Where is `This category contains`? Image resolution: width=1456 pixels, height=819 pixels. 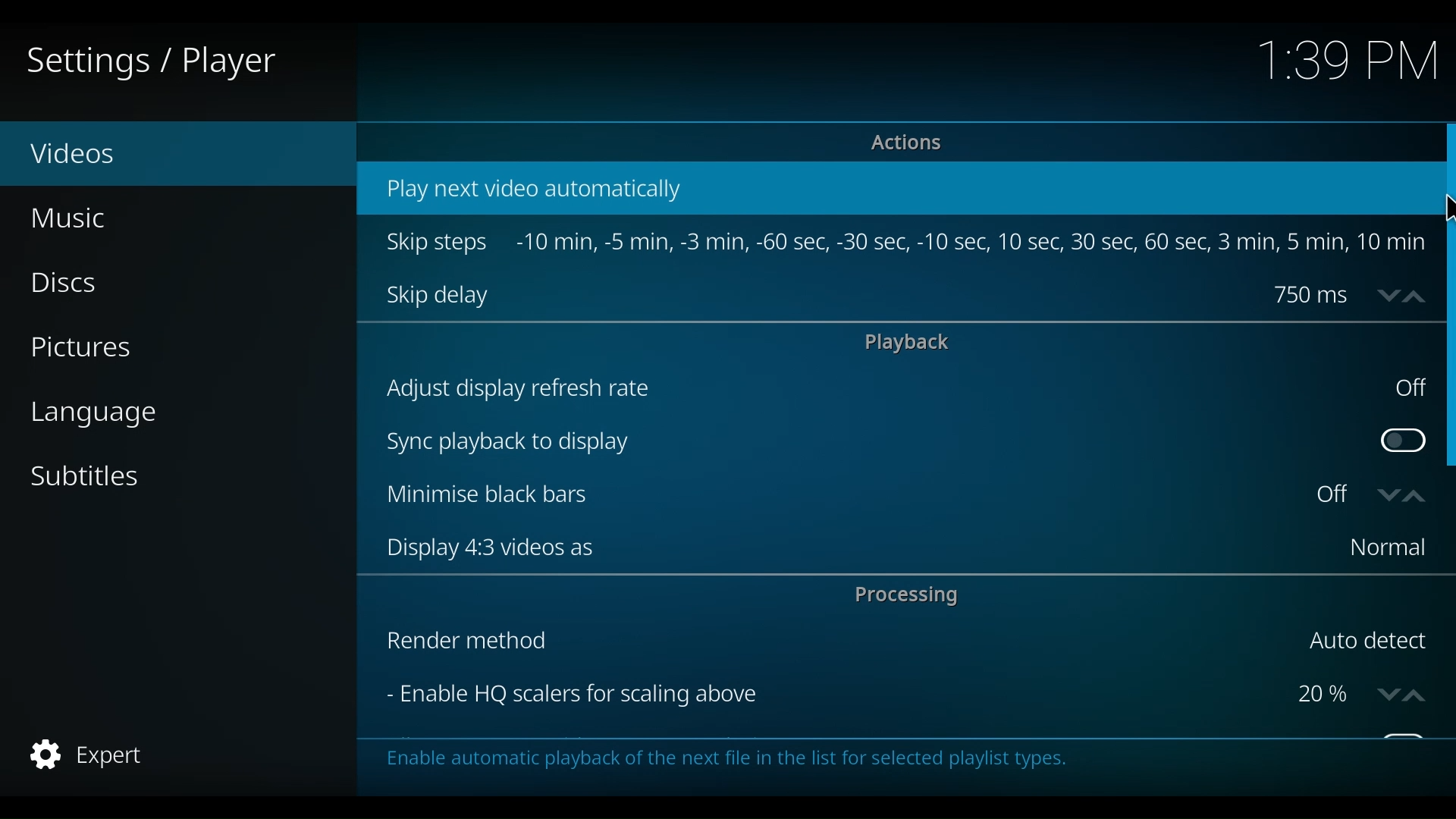 This category contains is located at coordinates (652, 758).